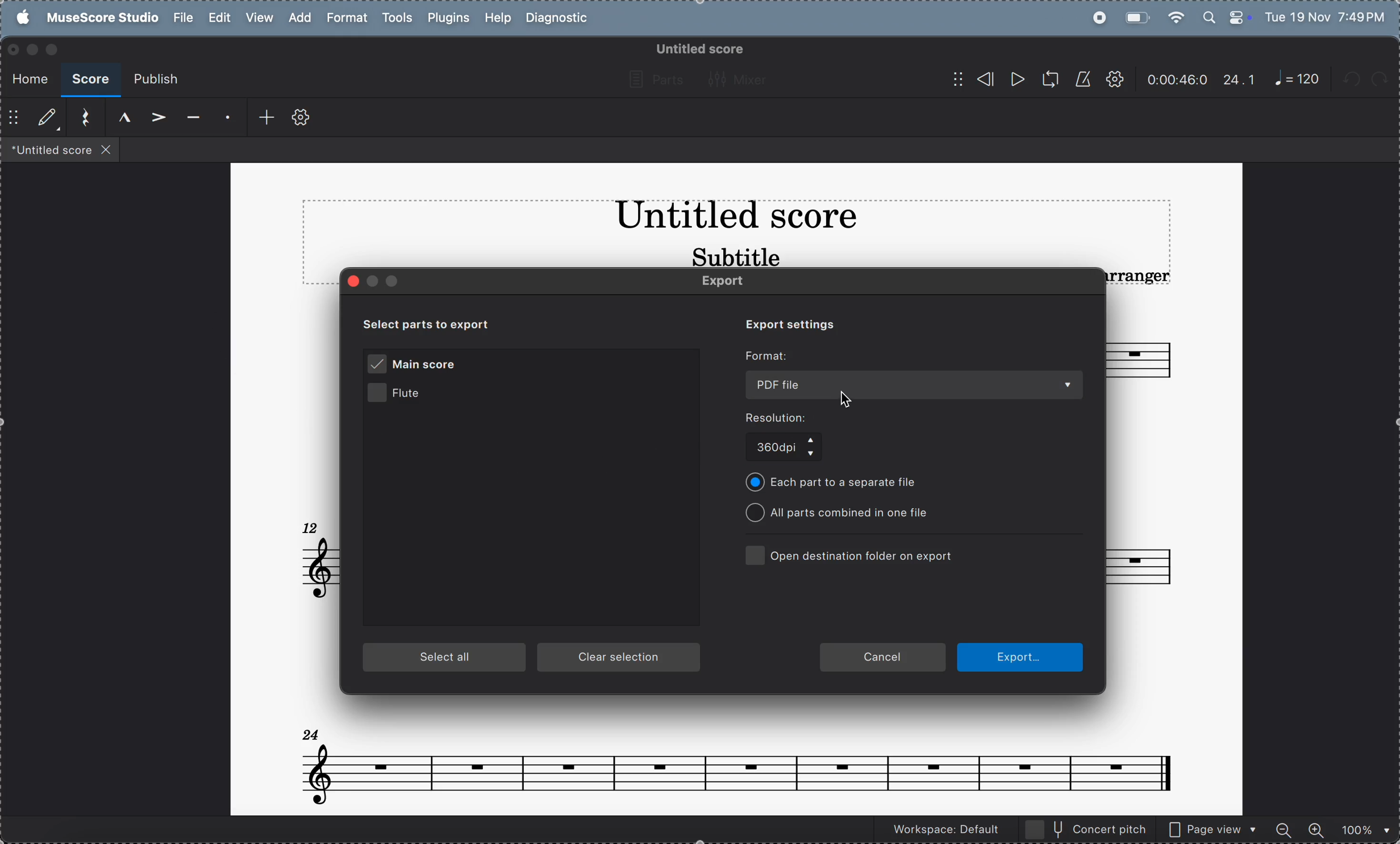 The image size is (1400, 844). I want to click on battery, so click(1135, 16).